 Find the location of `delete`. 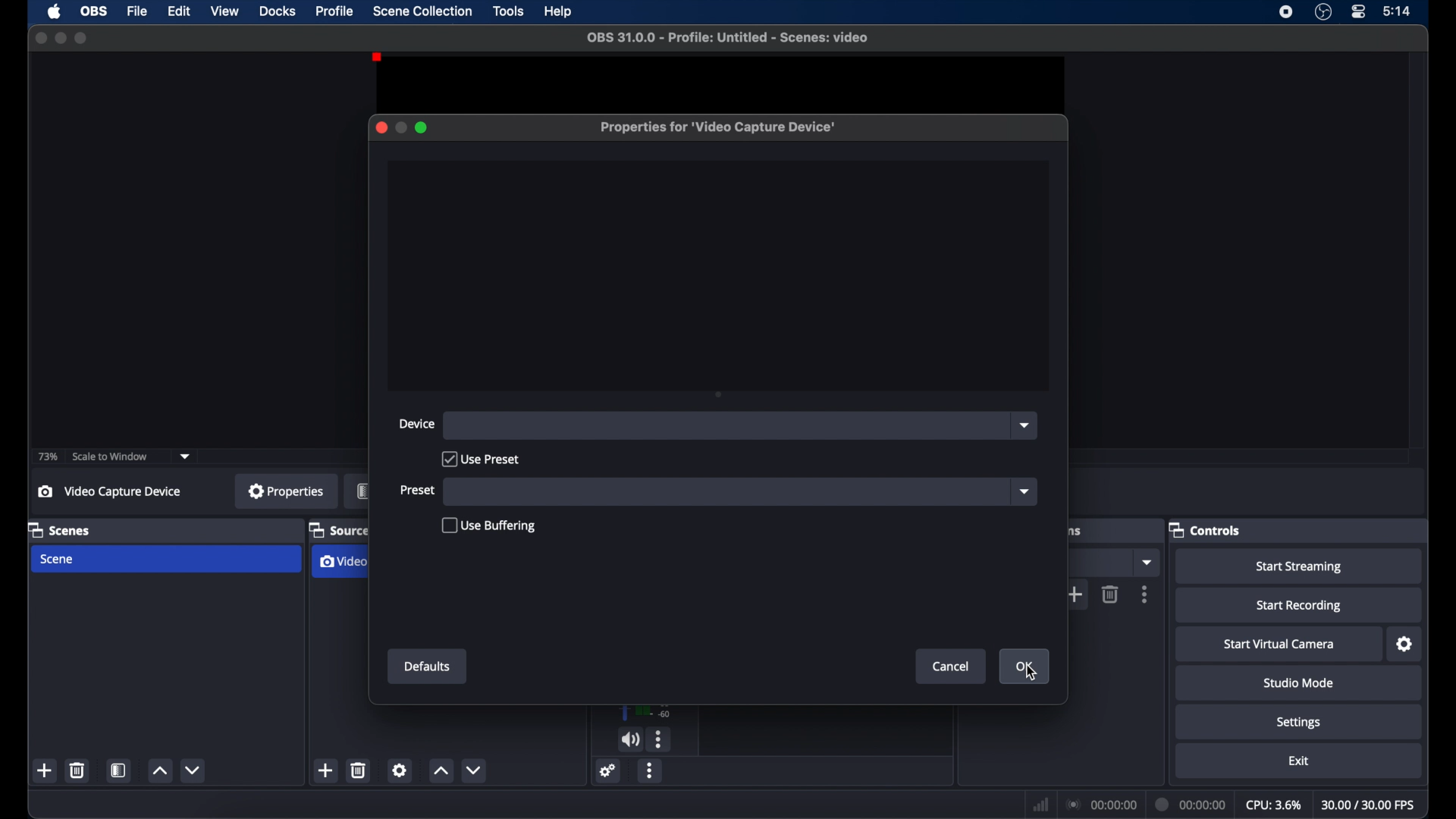

delete is located at coordinates (359, 770).